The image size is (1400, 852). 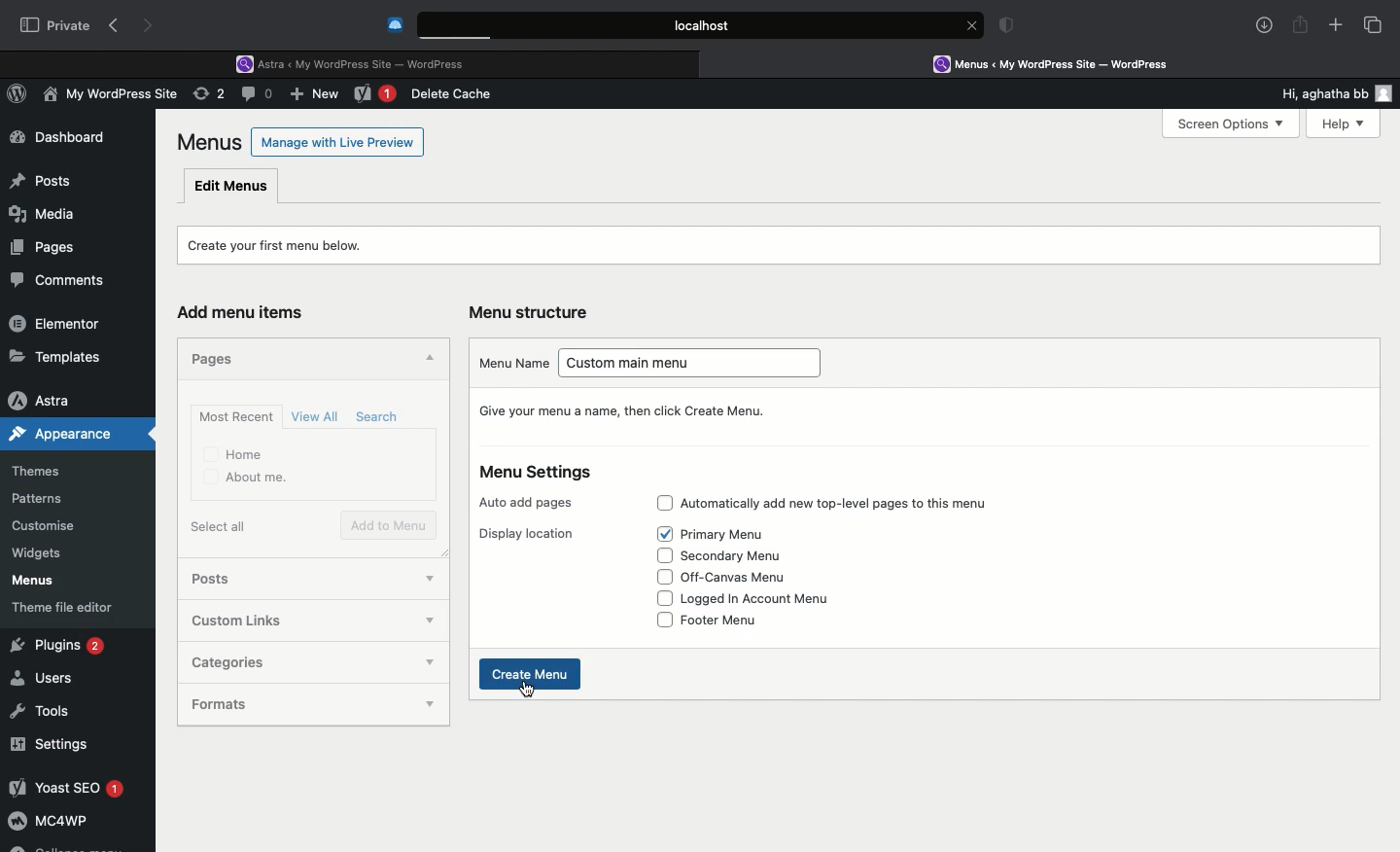 What do you see at coordinates (1010, 27) in the screenshot?
I see `Badge` at bounding box center [1010, 27].